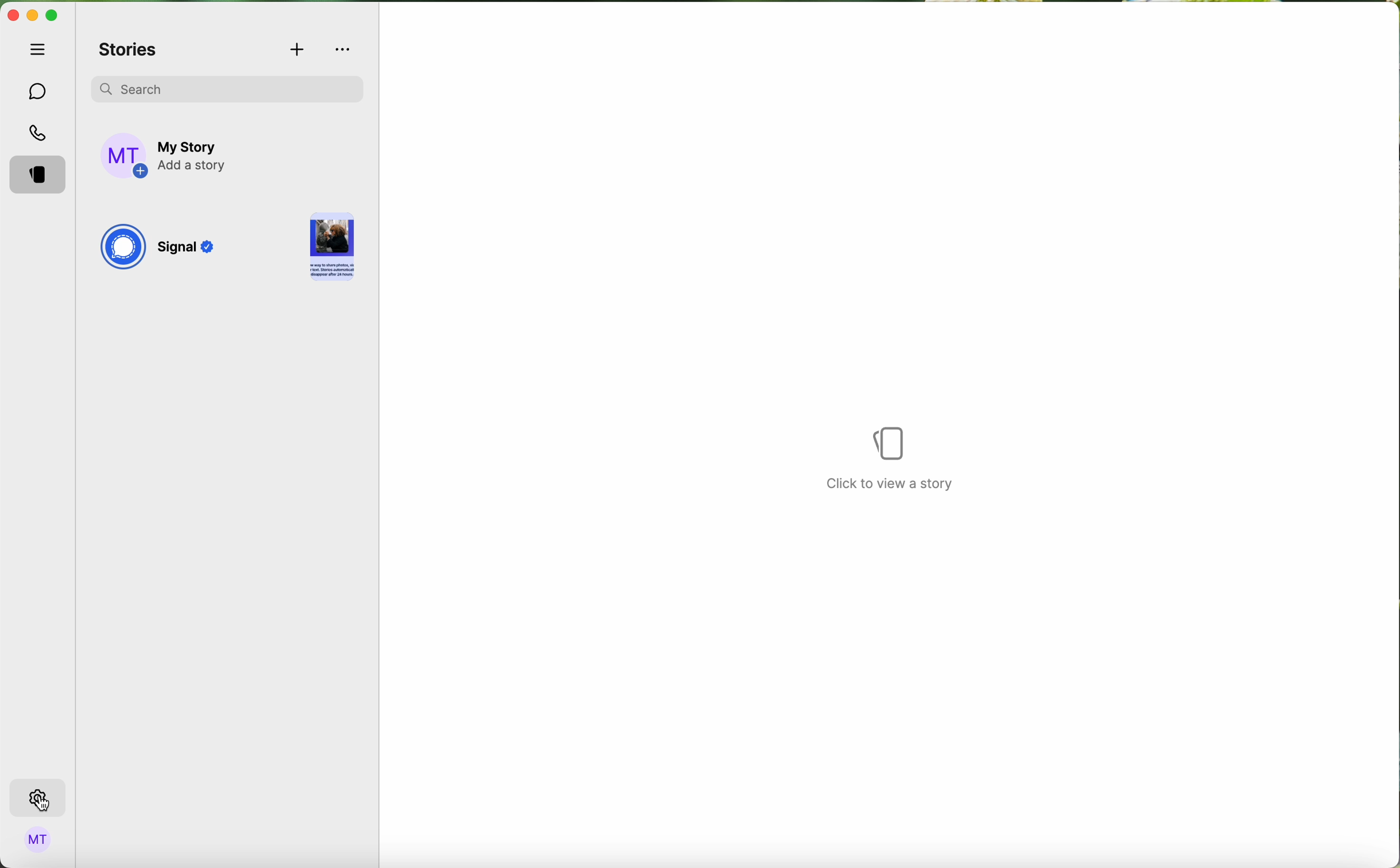  Describe the element at coordinates (40, 134) in the screenshot. I see `calls` at that location.